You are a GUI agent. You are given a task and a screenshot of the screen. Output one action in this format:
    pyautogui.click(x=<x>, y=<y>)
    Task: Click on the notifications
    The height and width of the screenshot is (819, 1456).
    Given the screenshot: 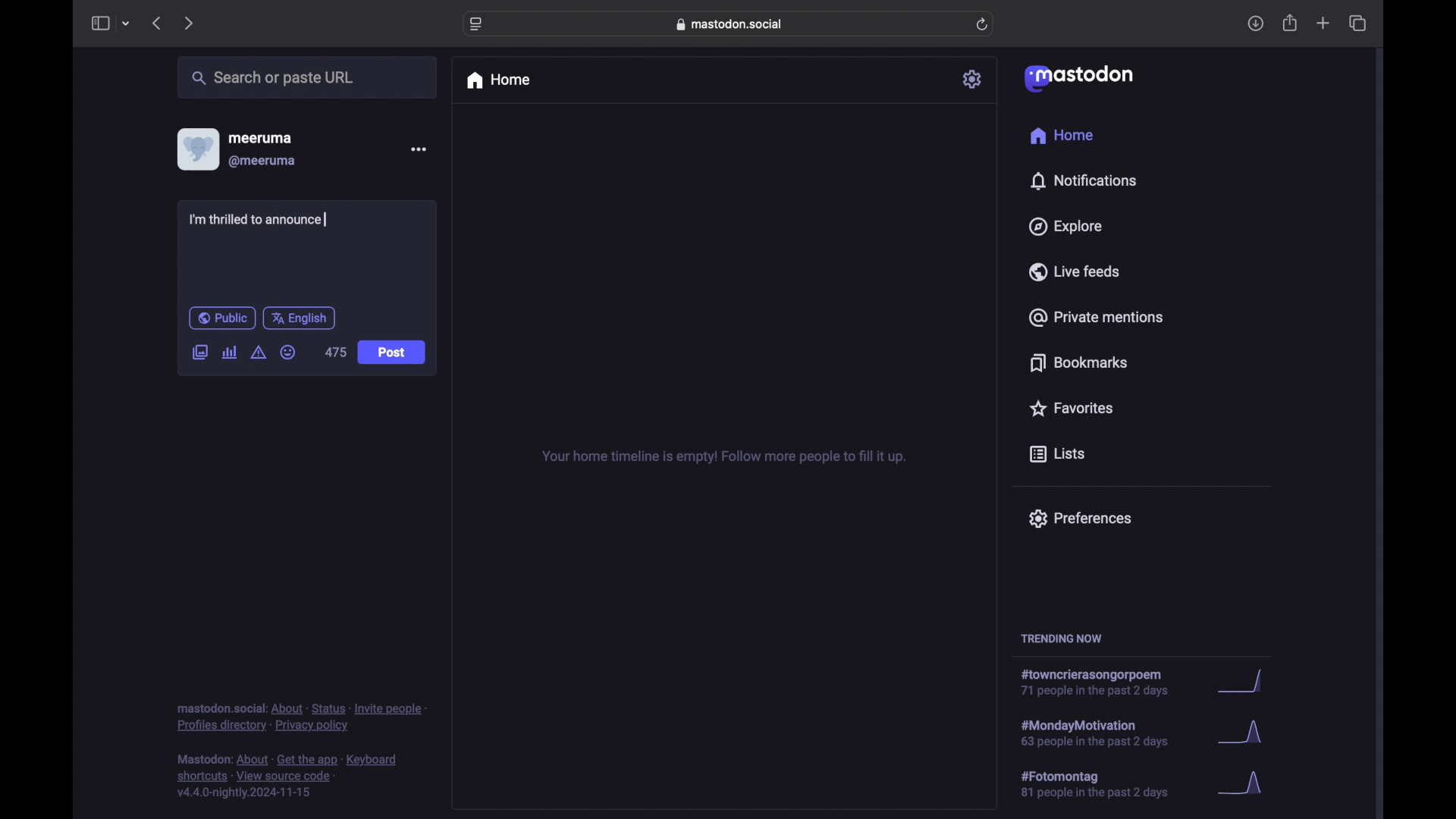 What is the action you would take?
    pyautogui.click(x=1083, y=181)
    